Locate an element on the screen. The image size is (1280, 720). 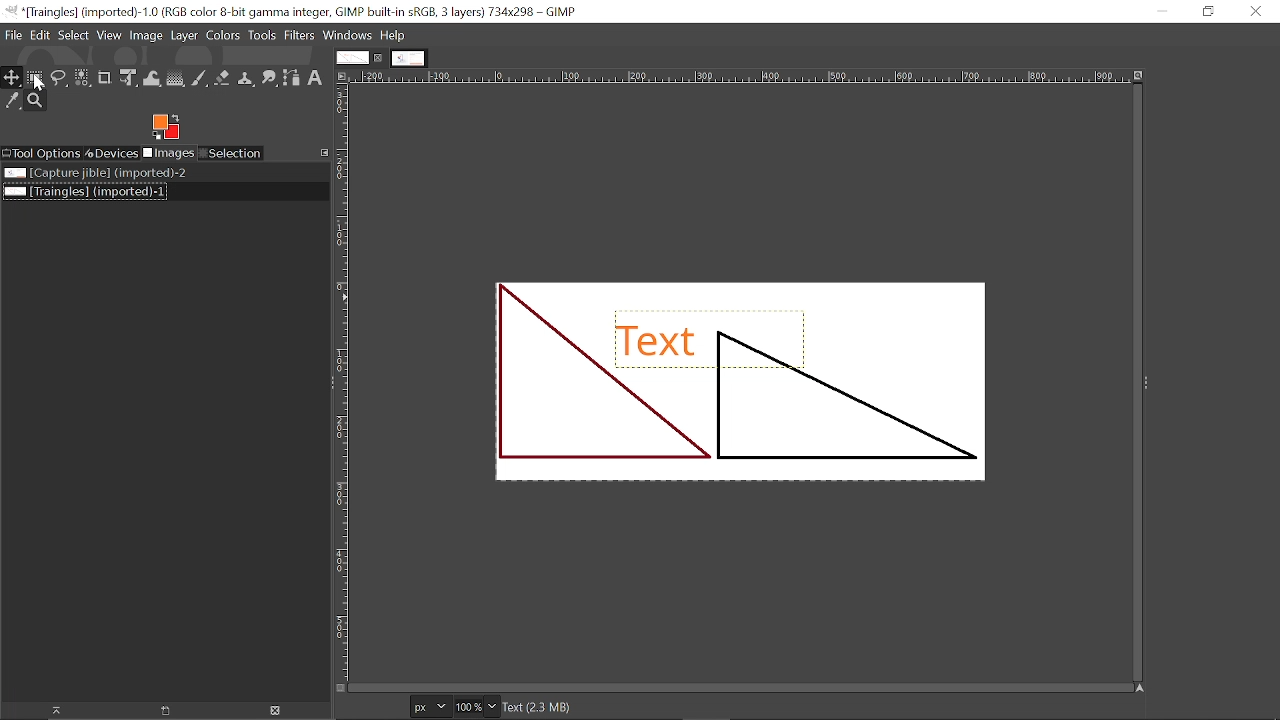
text tool is located at coordinates (316, 79).